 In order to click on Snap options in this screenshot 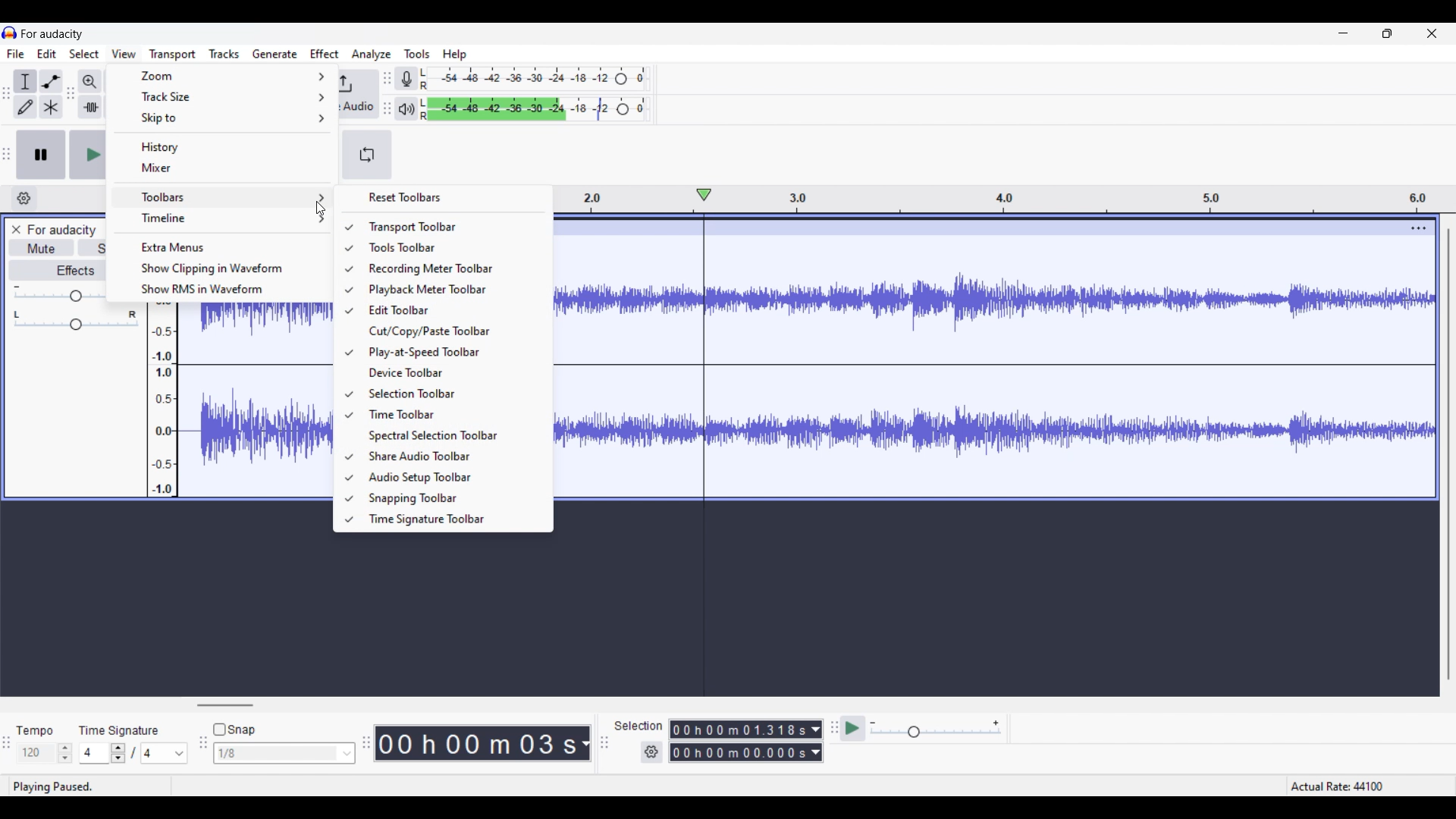, I will do `click(284, 753)`.